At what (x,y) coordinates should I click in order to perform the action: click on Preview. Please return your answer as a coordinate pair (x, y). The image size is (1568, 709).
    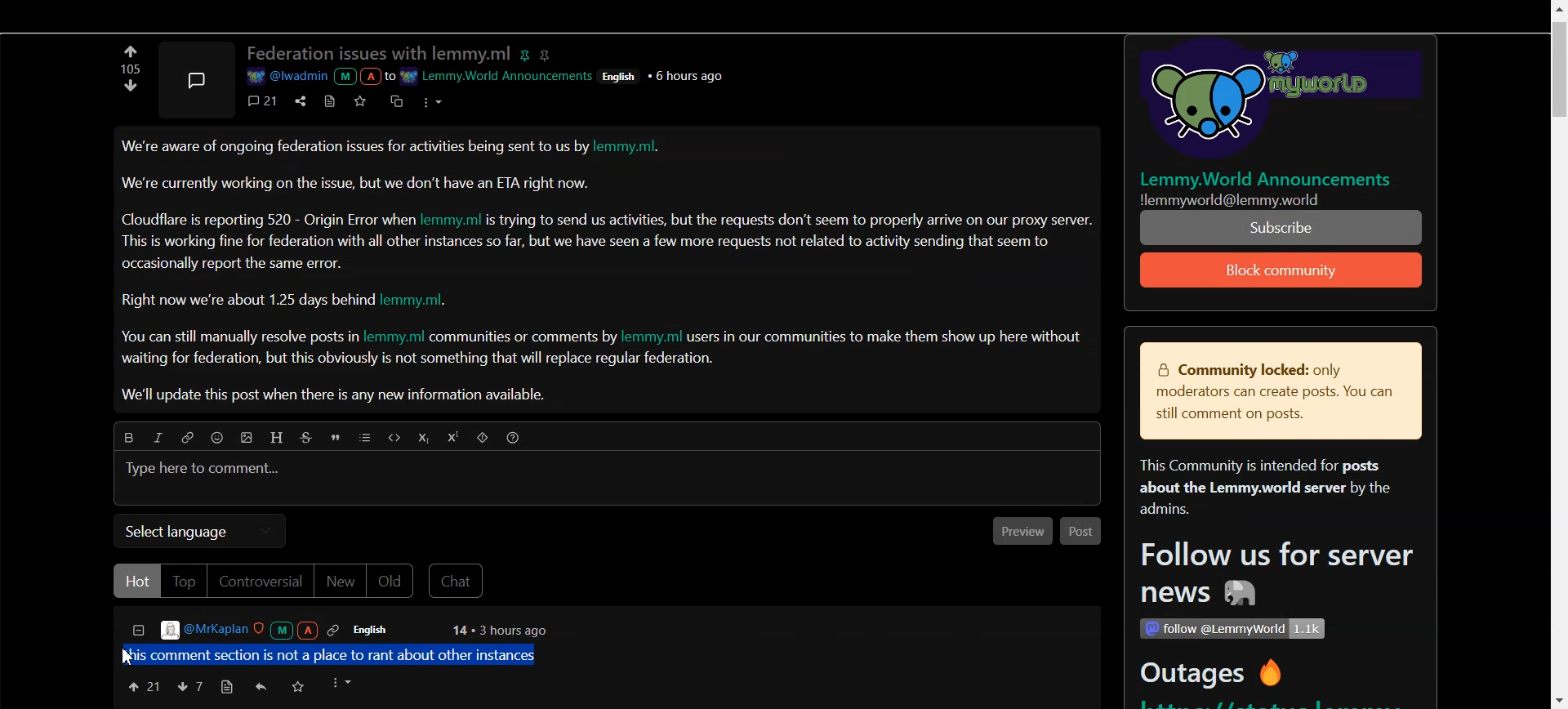
    Looking at the image, I should click on (1018, 533).